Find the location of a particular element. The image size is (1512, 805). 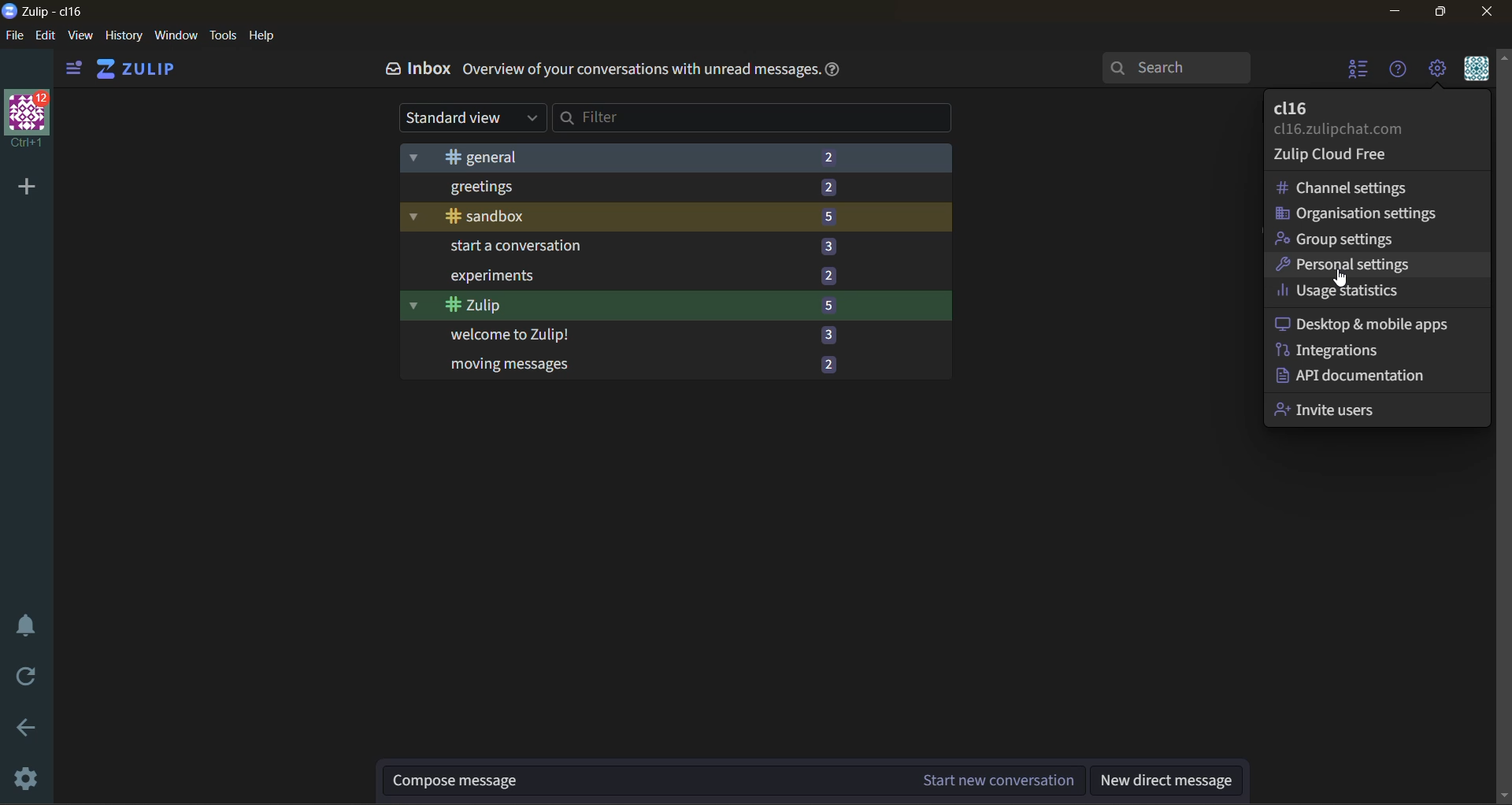

personal settings is located at coordinates (1348, 266).